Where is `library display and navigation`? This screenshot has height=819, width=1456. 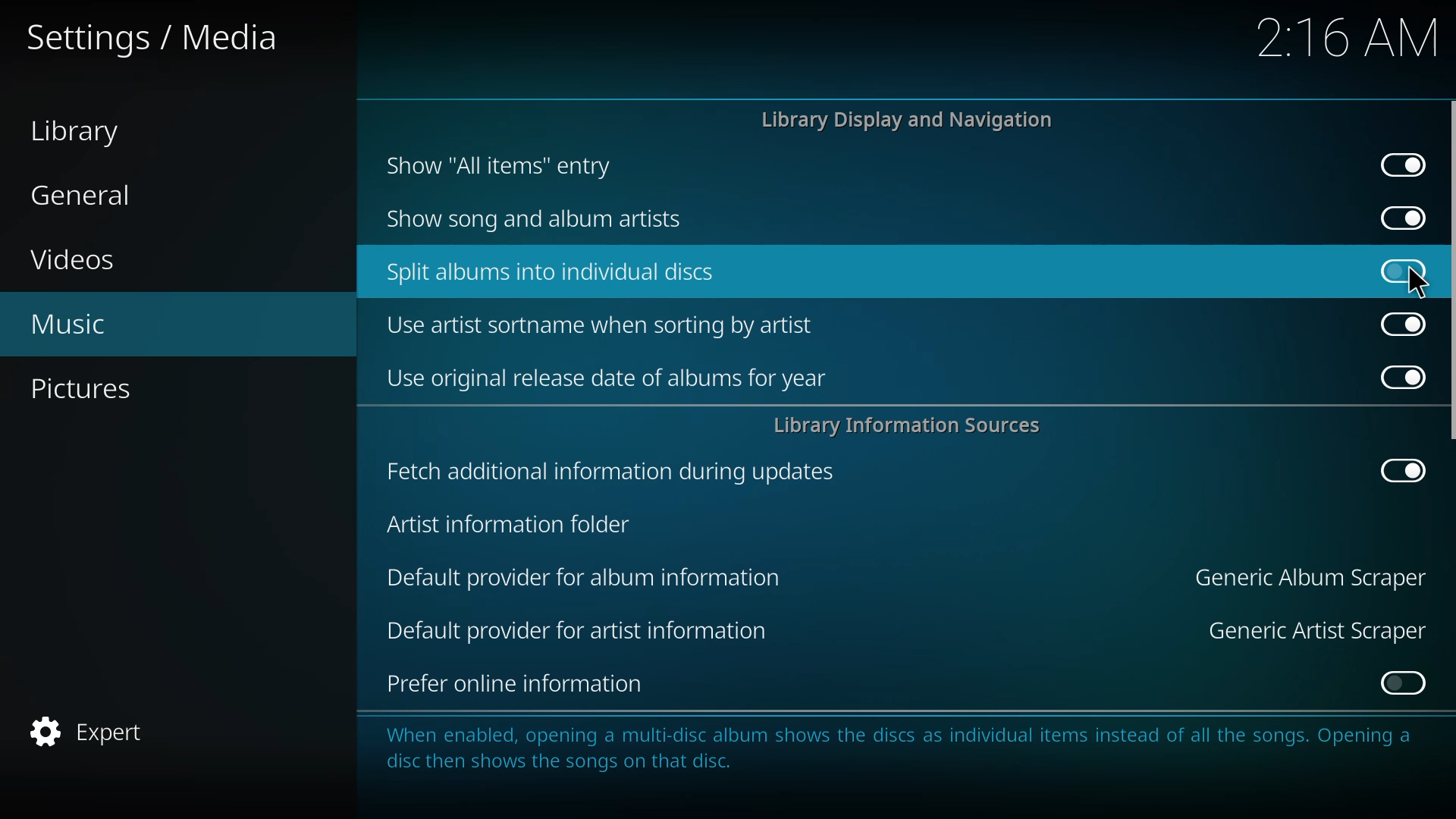
library display and navigation is located at coordinates (910, 120).